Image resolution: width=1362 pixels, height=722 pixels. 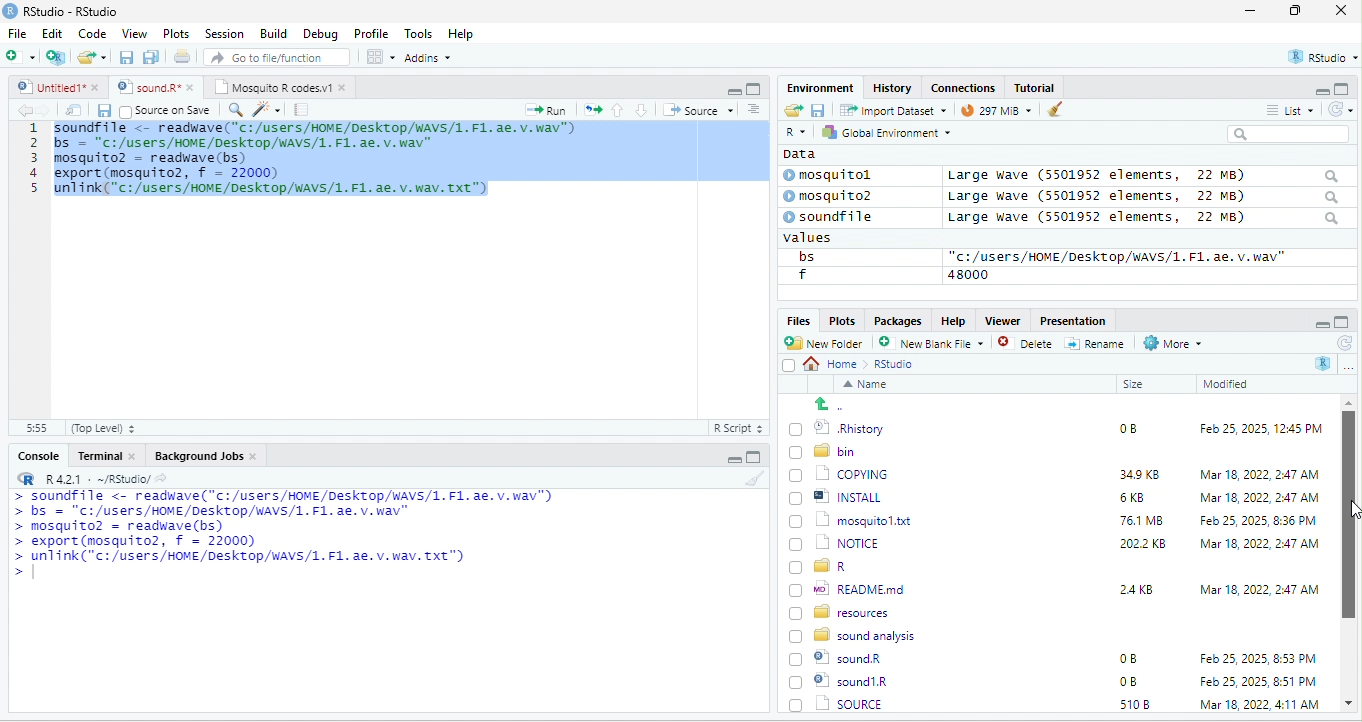 What do you see at coordinates (380, 57) in the screenshot?
I see `view` at bounding box center [380, 57].